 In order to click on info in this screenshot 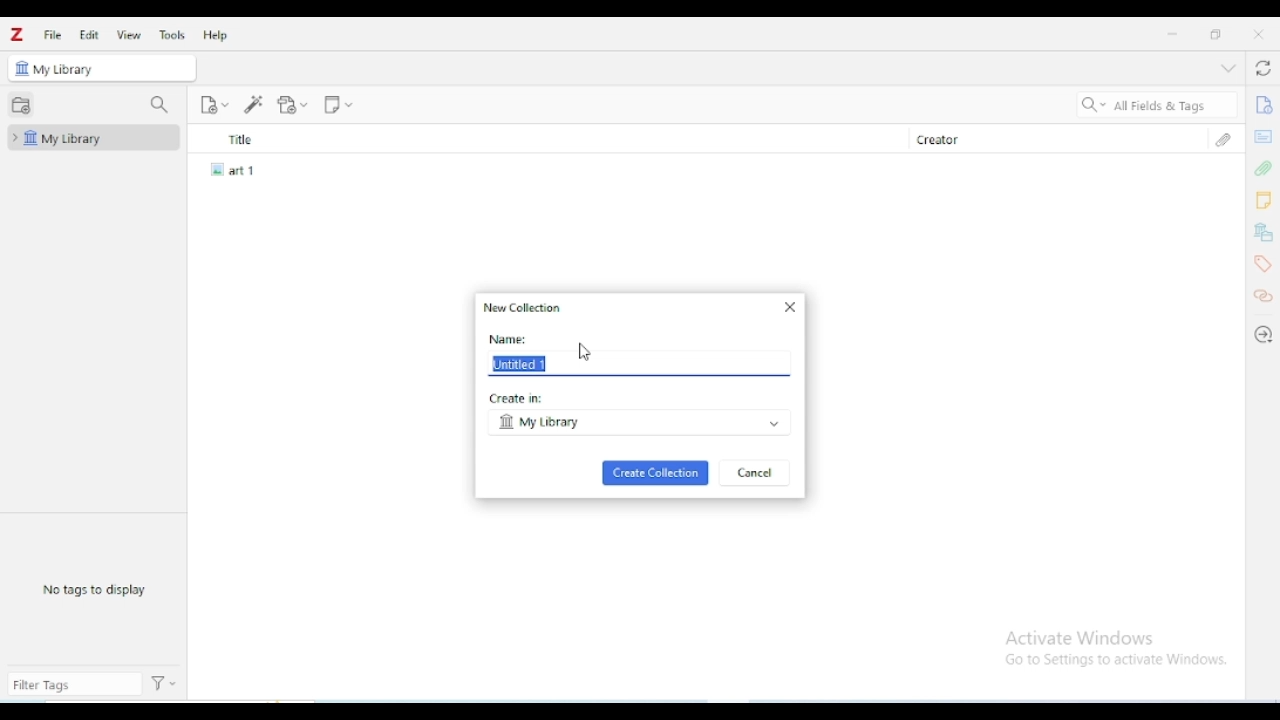, I will do `click(1263, 105)`.